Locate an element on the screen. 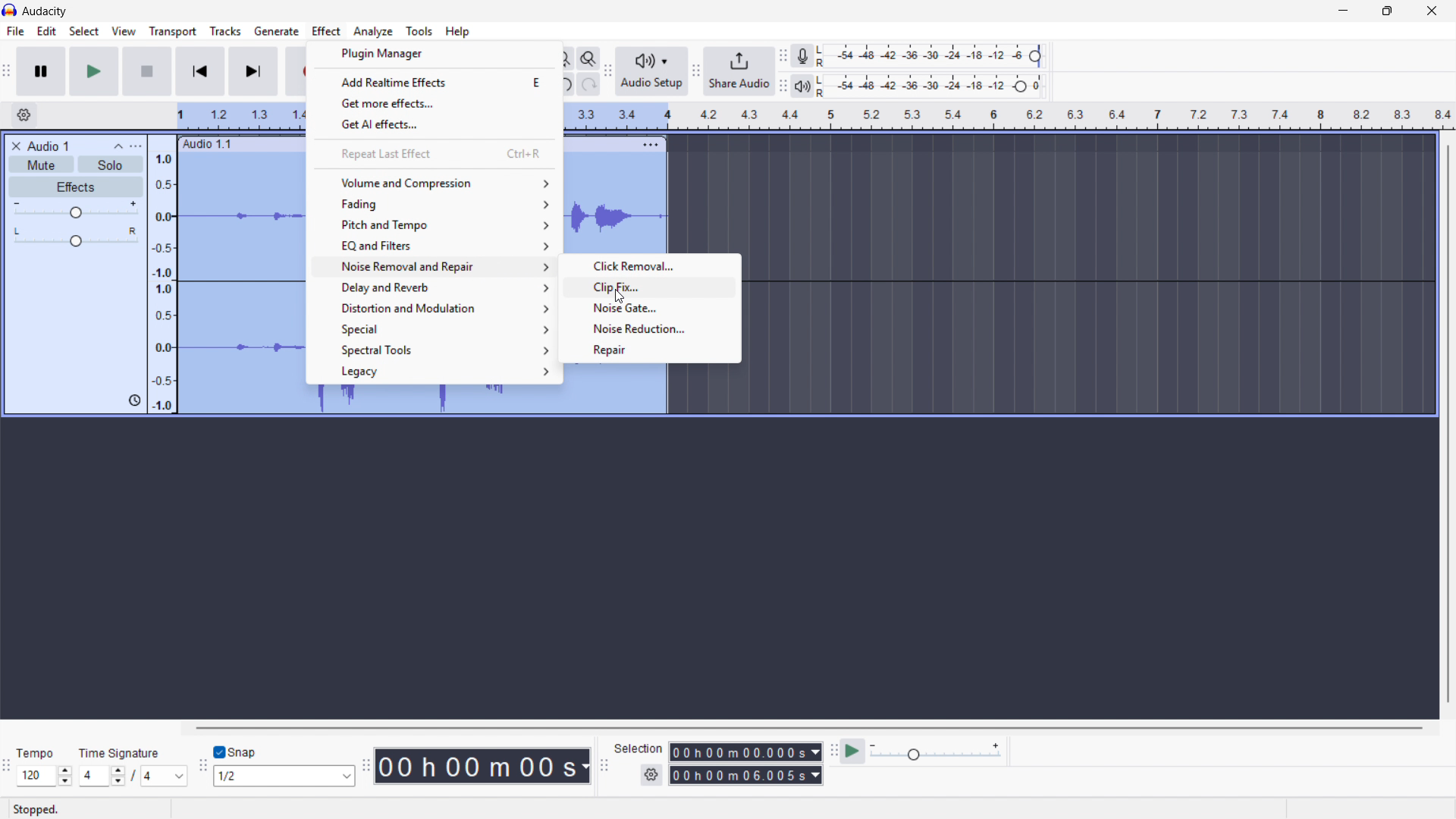  Play  is located at coordinates (93, 71).